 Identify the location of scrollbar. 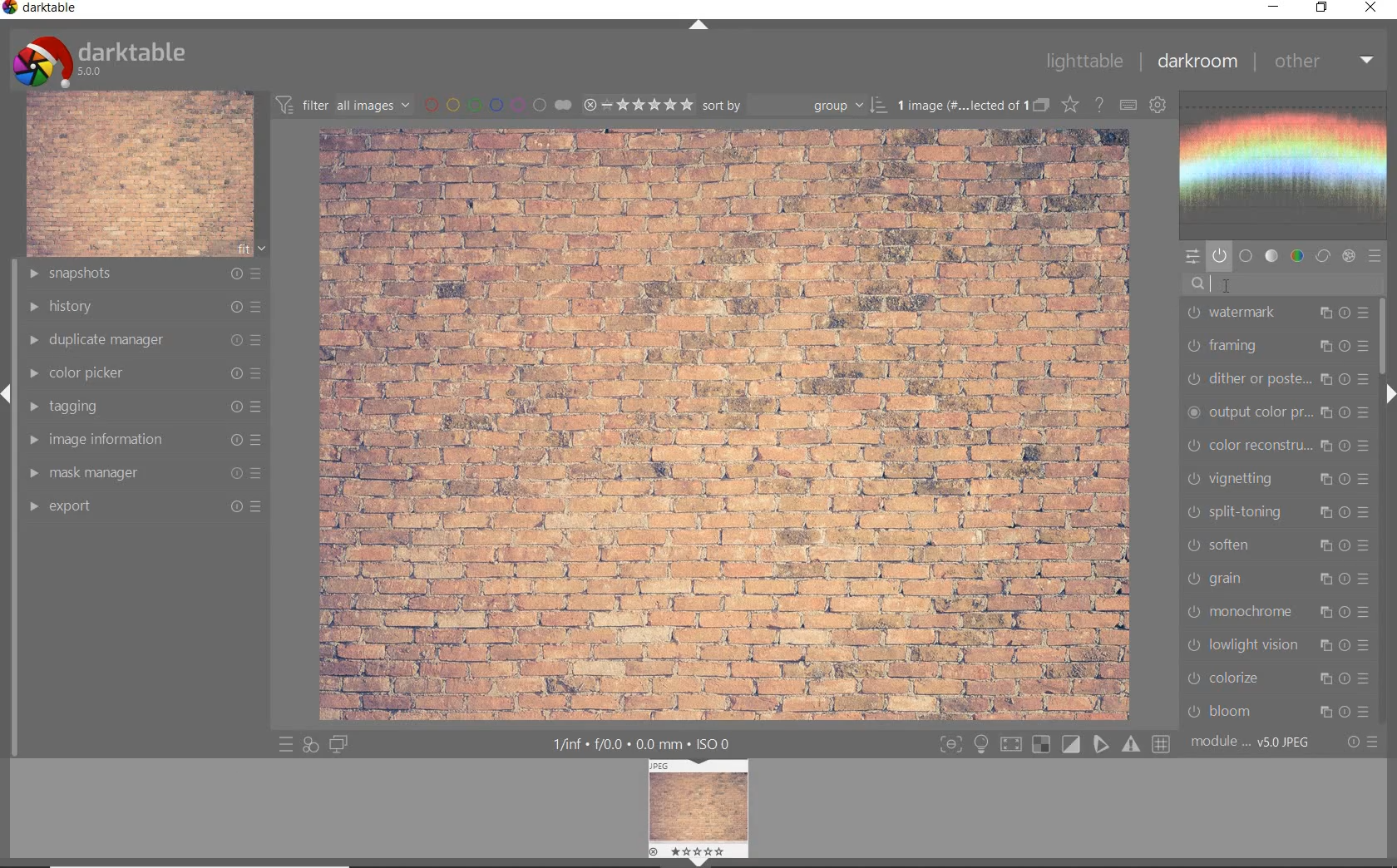
(1386, 339).